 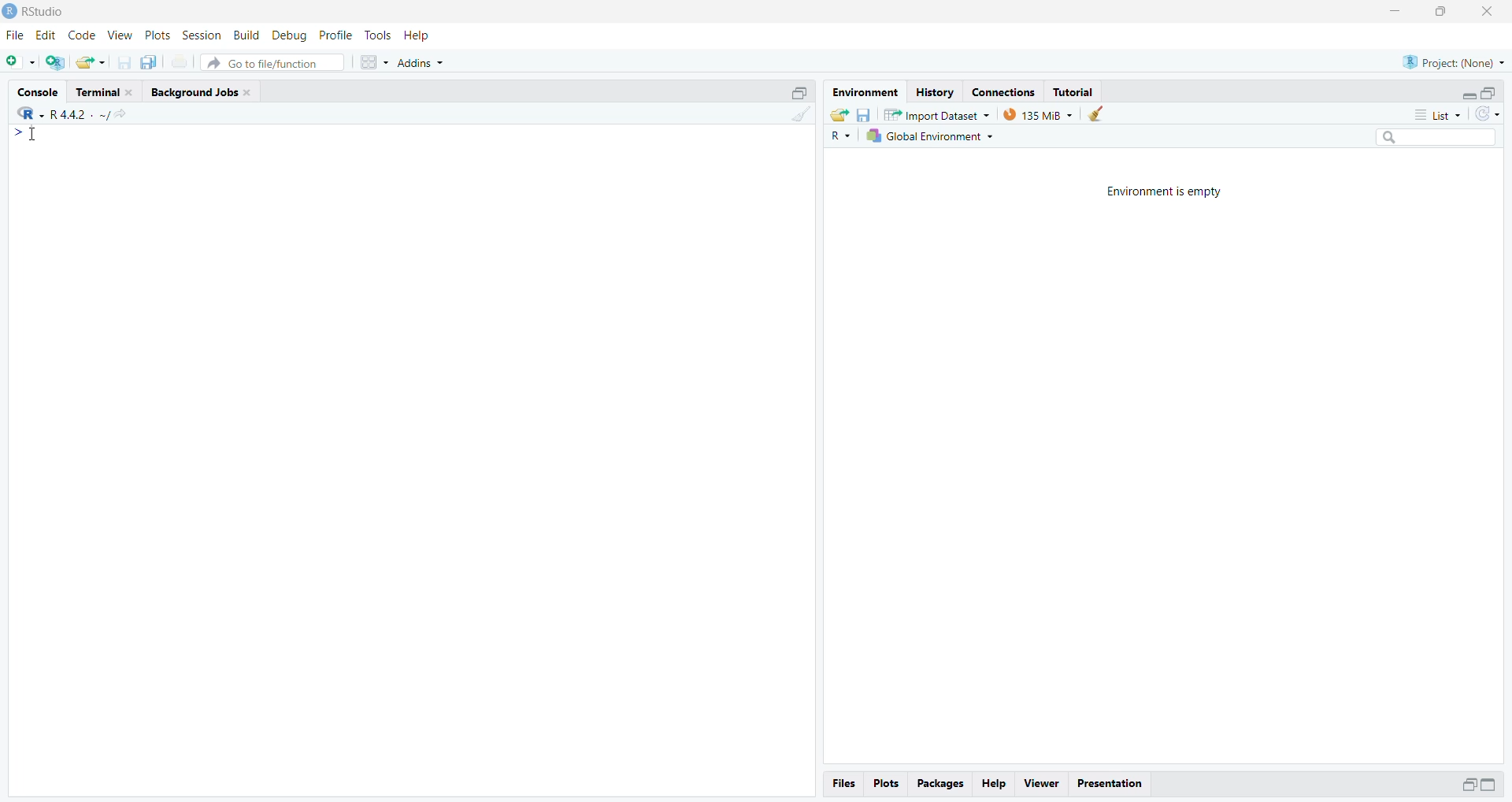 What do you see at coordinates (74, 113) in the screenshot?
I see `R.4.4.2~/` at bounding box center [74, 113].